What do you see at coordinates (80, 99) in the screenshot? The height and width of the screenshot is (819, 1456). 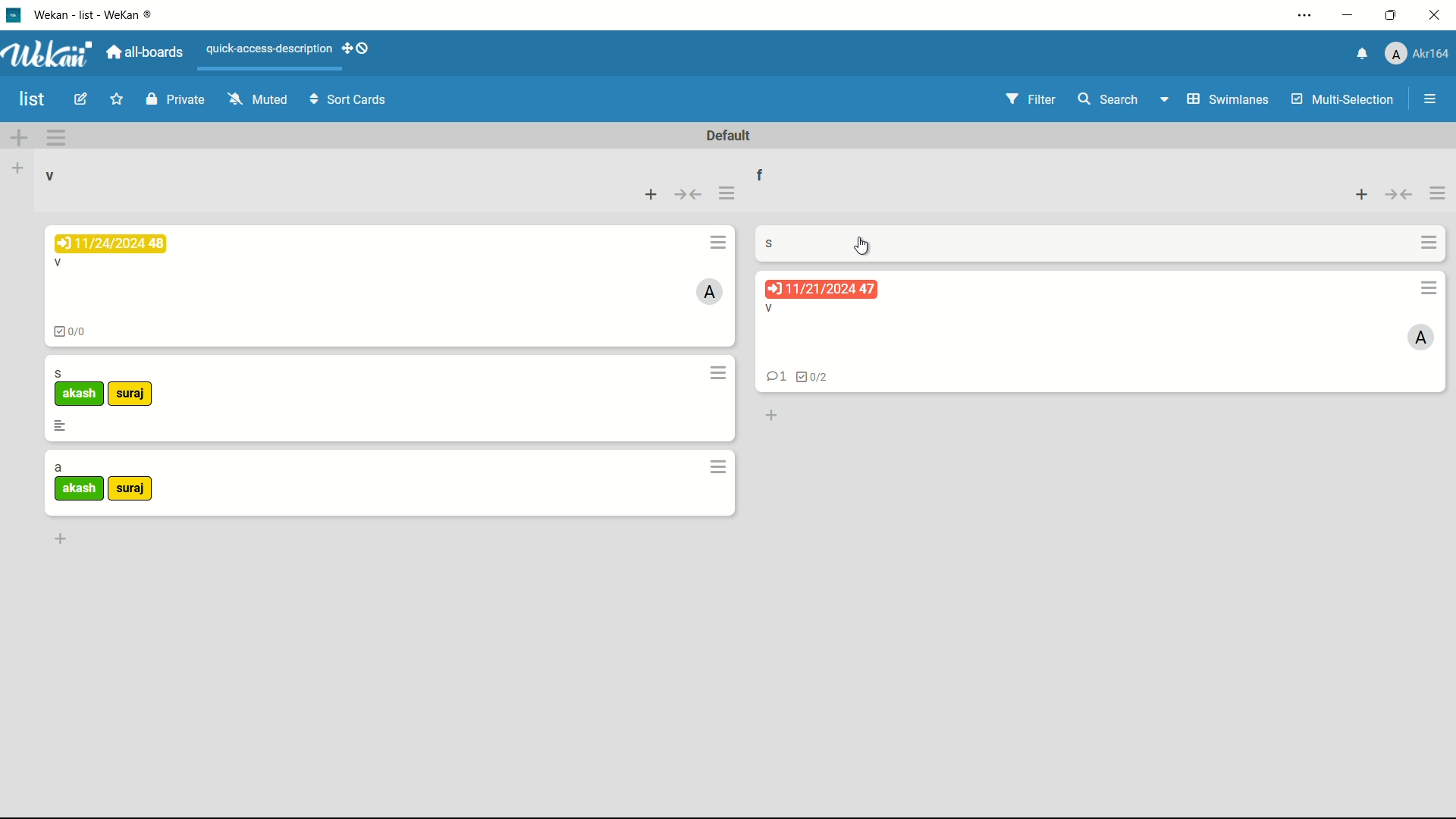 I see `edit` at bounding box center [80, 99].